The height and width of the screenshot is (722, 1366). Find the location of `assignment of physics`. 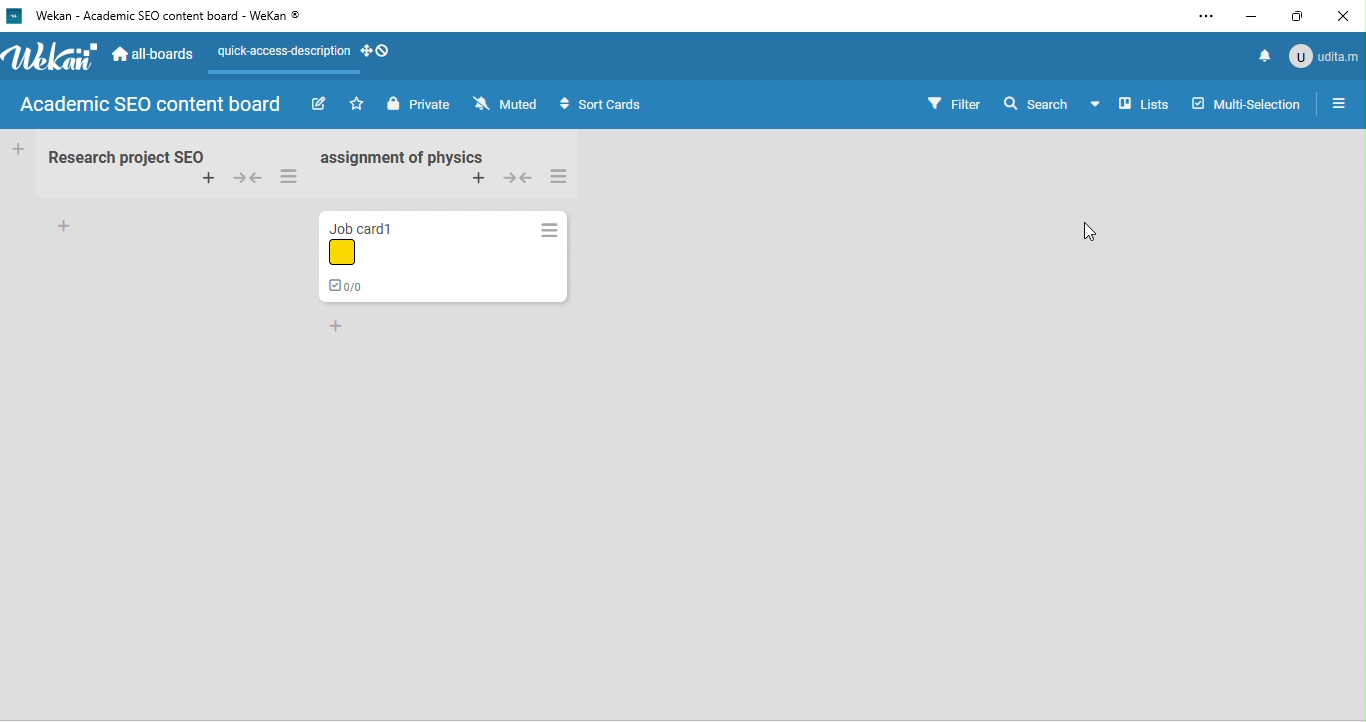

assignment of physics is located at coordinates (401, 157).